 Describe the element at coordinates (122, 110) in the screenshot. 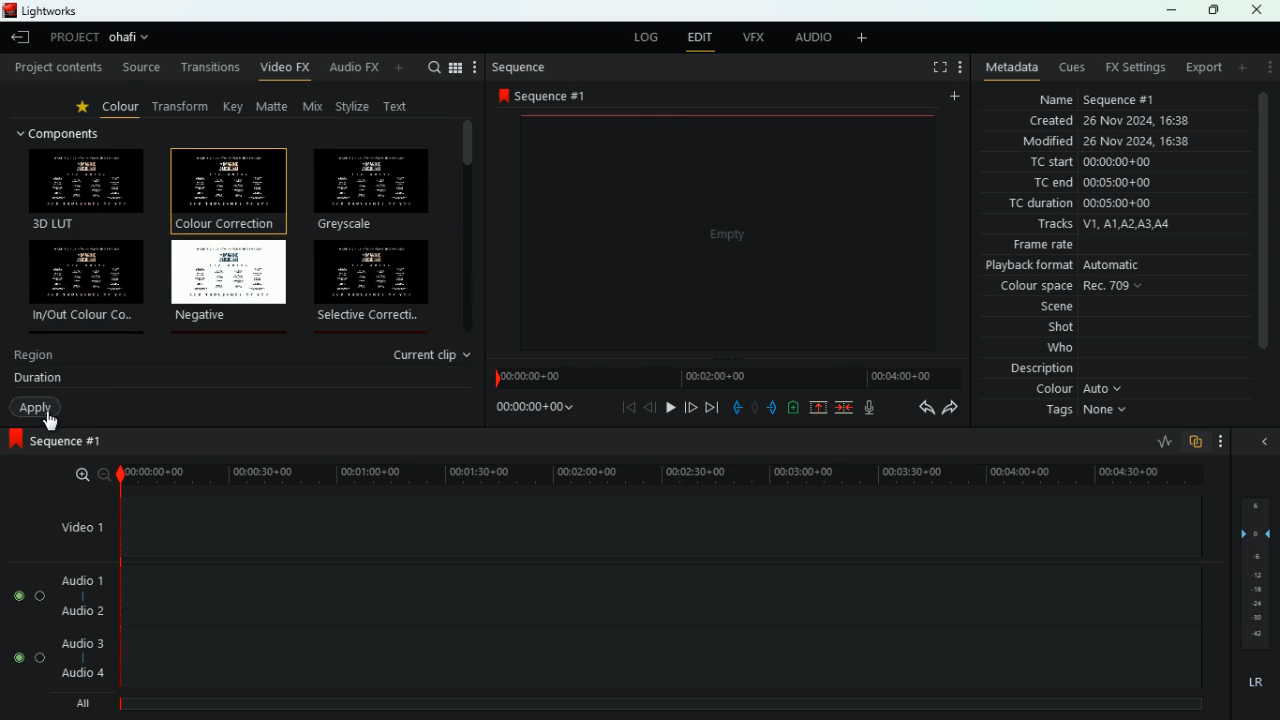

I see `colour` at that location.